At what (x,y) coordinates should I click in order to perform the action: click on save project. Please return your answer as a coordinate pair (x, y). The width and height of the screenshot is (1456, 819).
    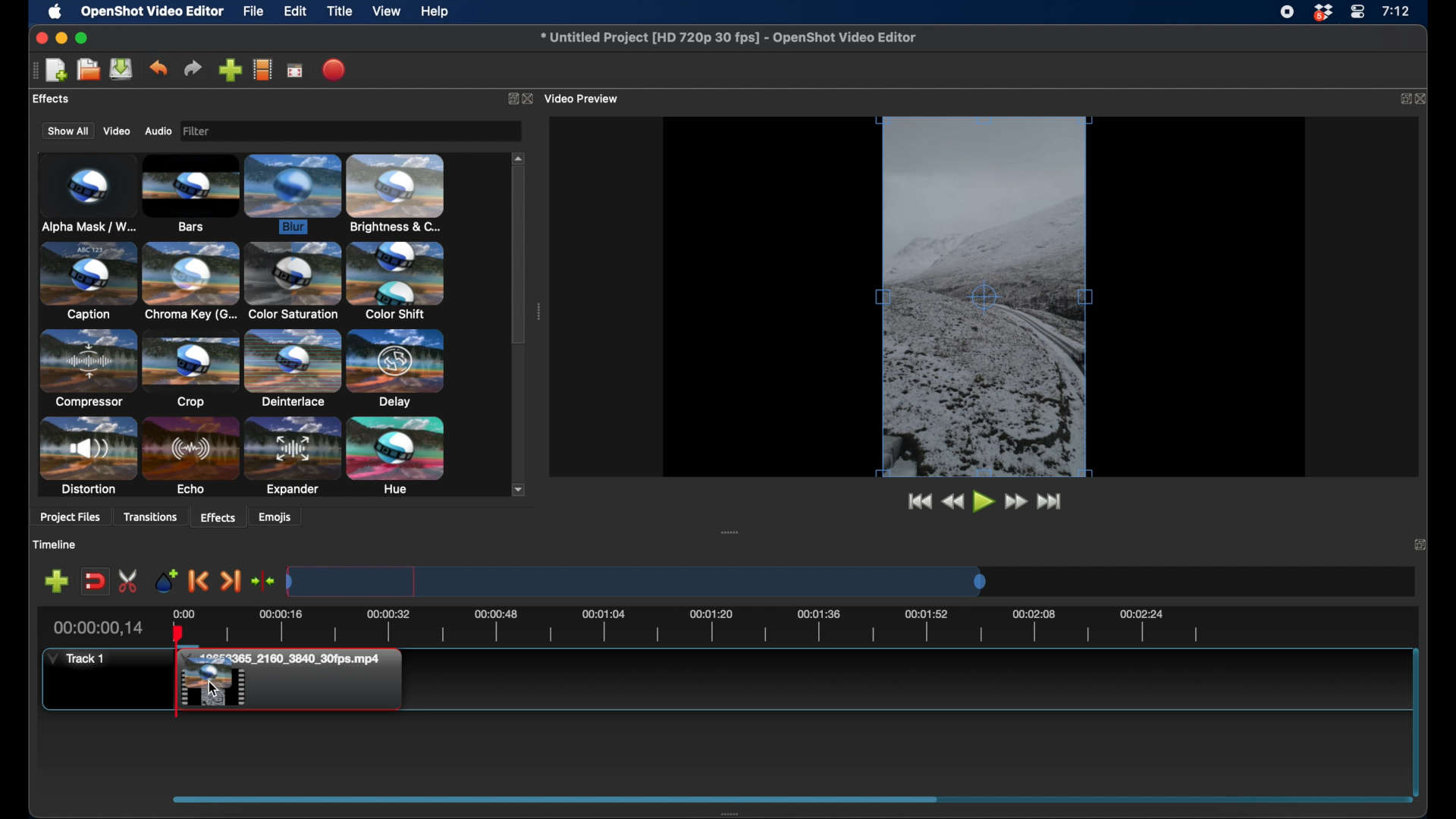
    Looking at the image, I should click on (121, 69).